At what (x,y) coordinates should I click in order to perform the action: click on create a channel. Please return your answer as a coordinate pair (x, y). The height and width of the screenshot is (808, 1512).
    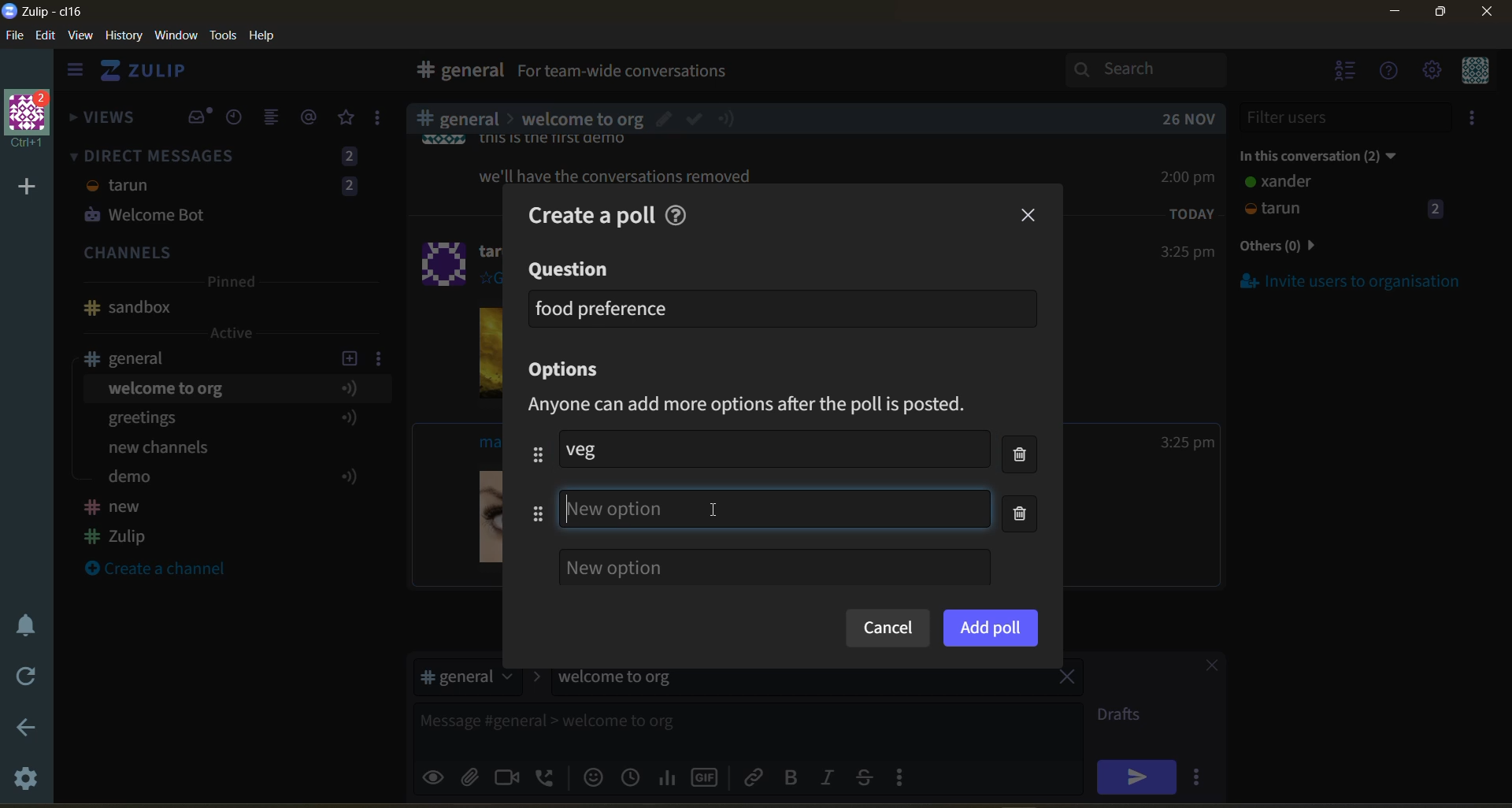
    Looking at the image, I should click on (165, 570).